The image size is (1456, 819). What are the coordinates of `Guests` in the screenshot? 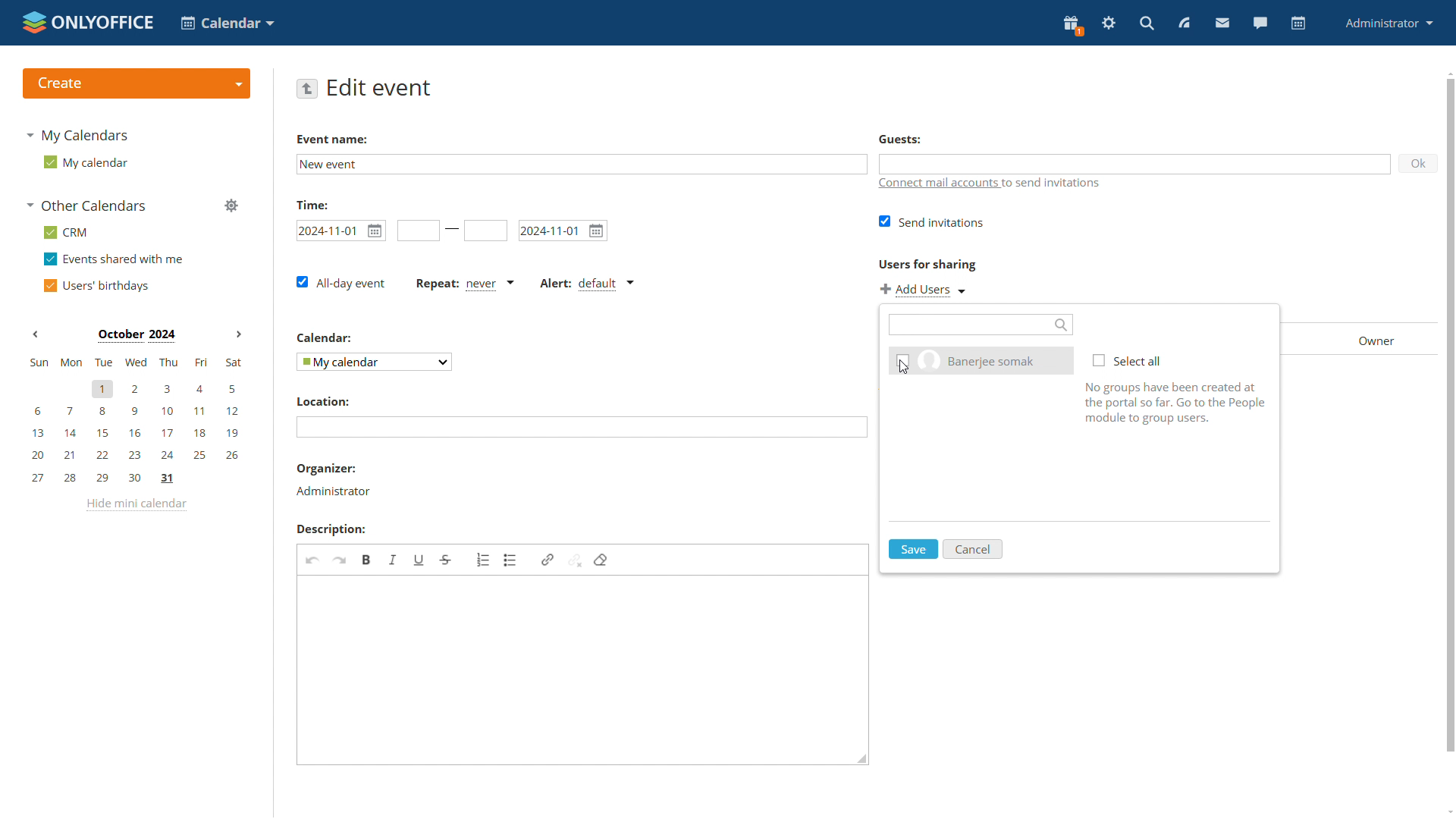 It's located at (900, 140).